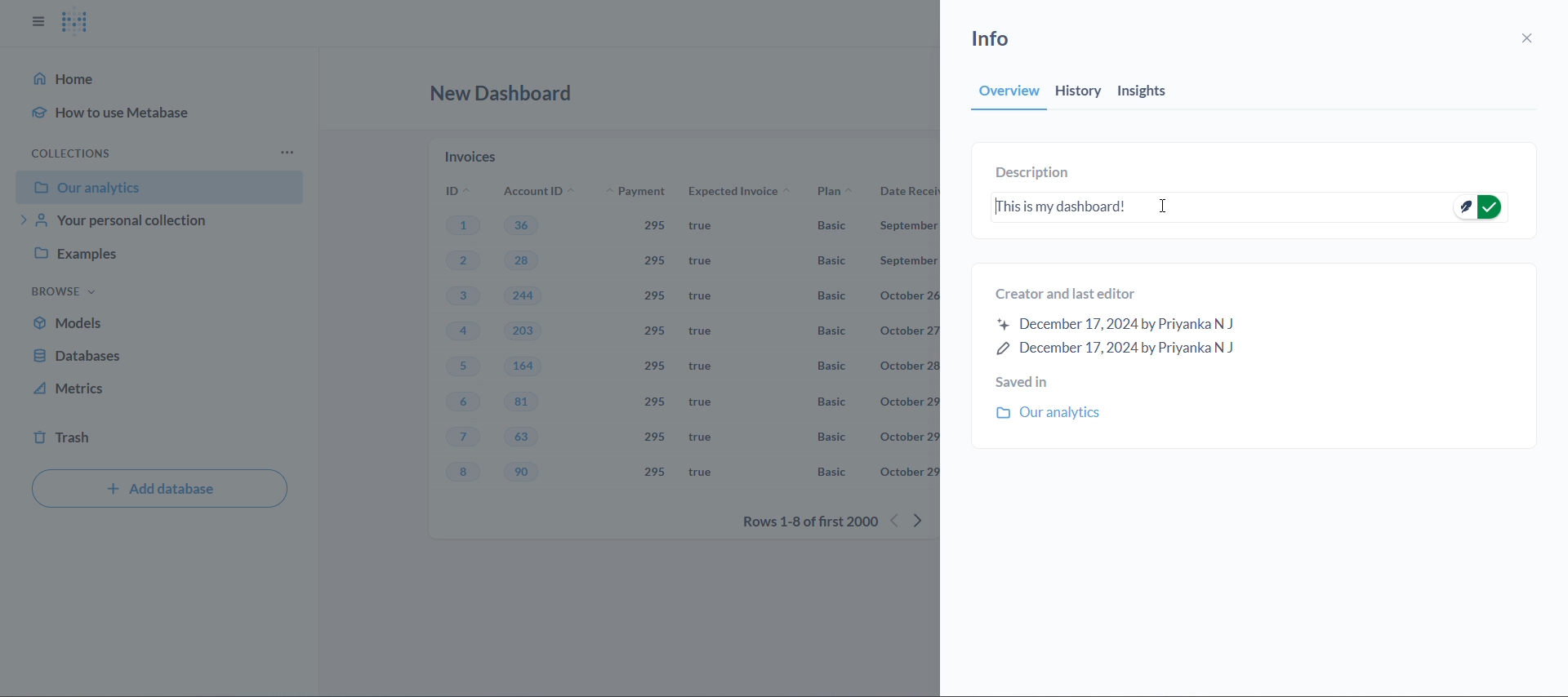 This screenshot has height=697, width=1568. What do you see at coordinates (835, 331) in the screenshot?
I see `Basic` at bounding box center [835, 331].